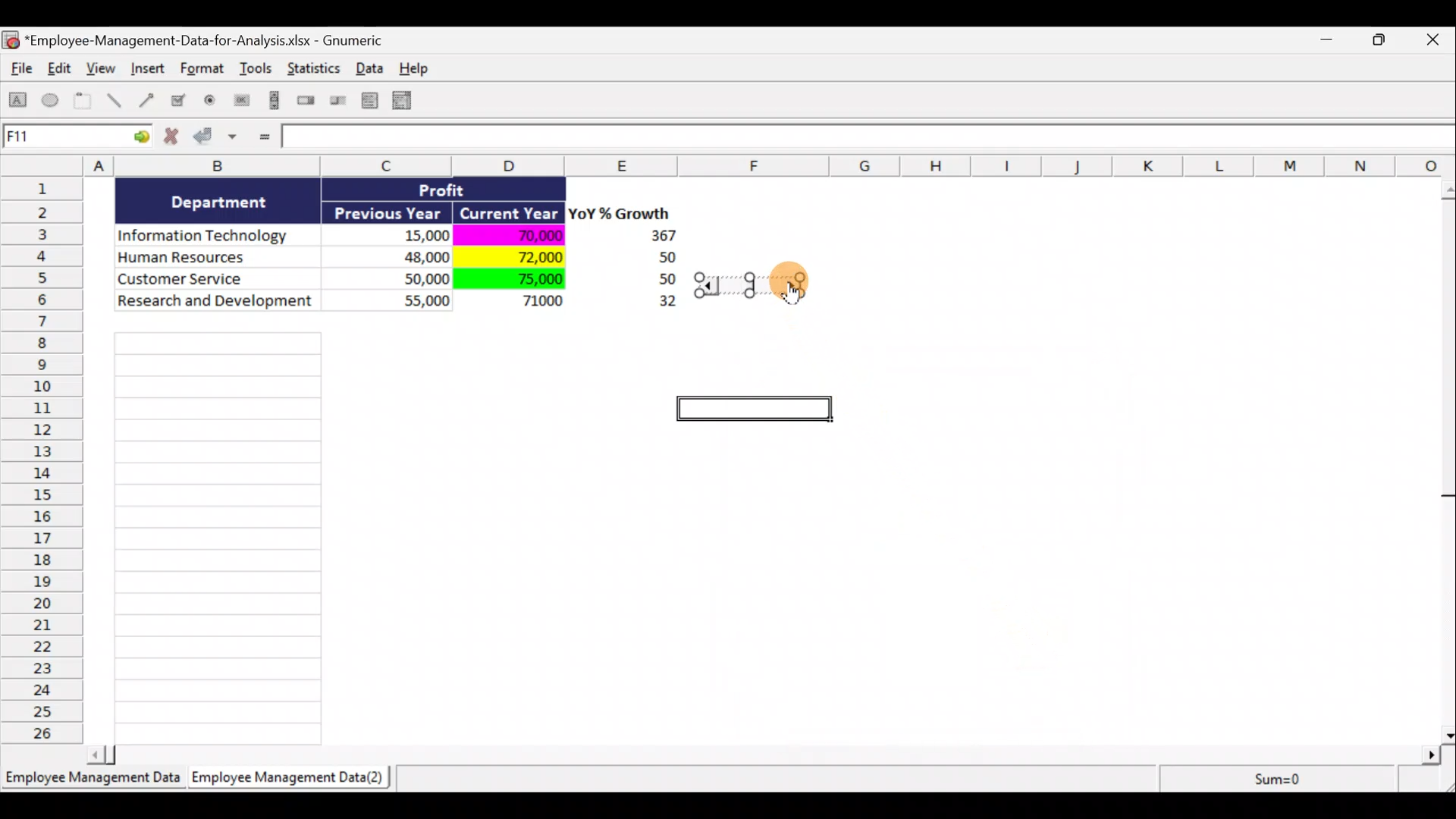 This screenshot has width=1456, height=819. What do you see at coordinates (1387, 38) in the screenshot?
I see `Maximise` at bounding box center [1387, 38].